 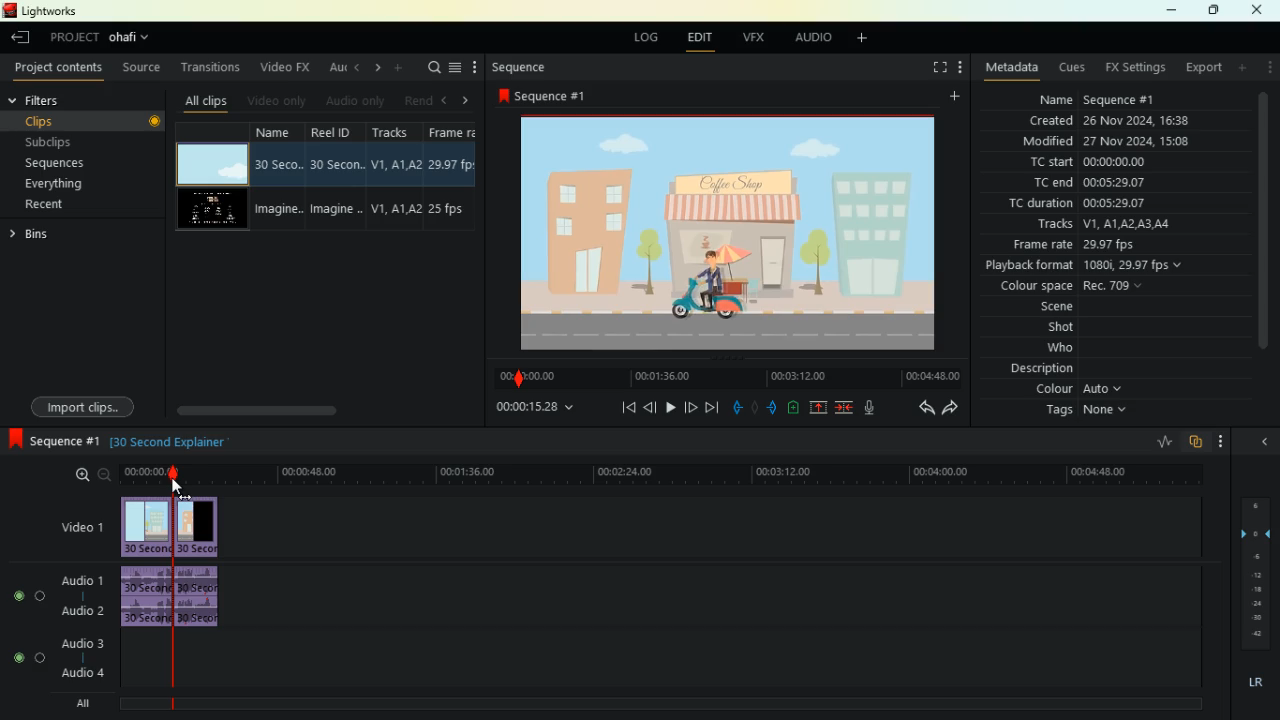 I want to click on pull, so click(x=736, y=409).